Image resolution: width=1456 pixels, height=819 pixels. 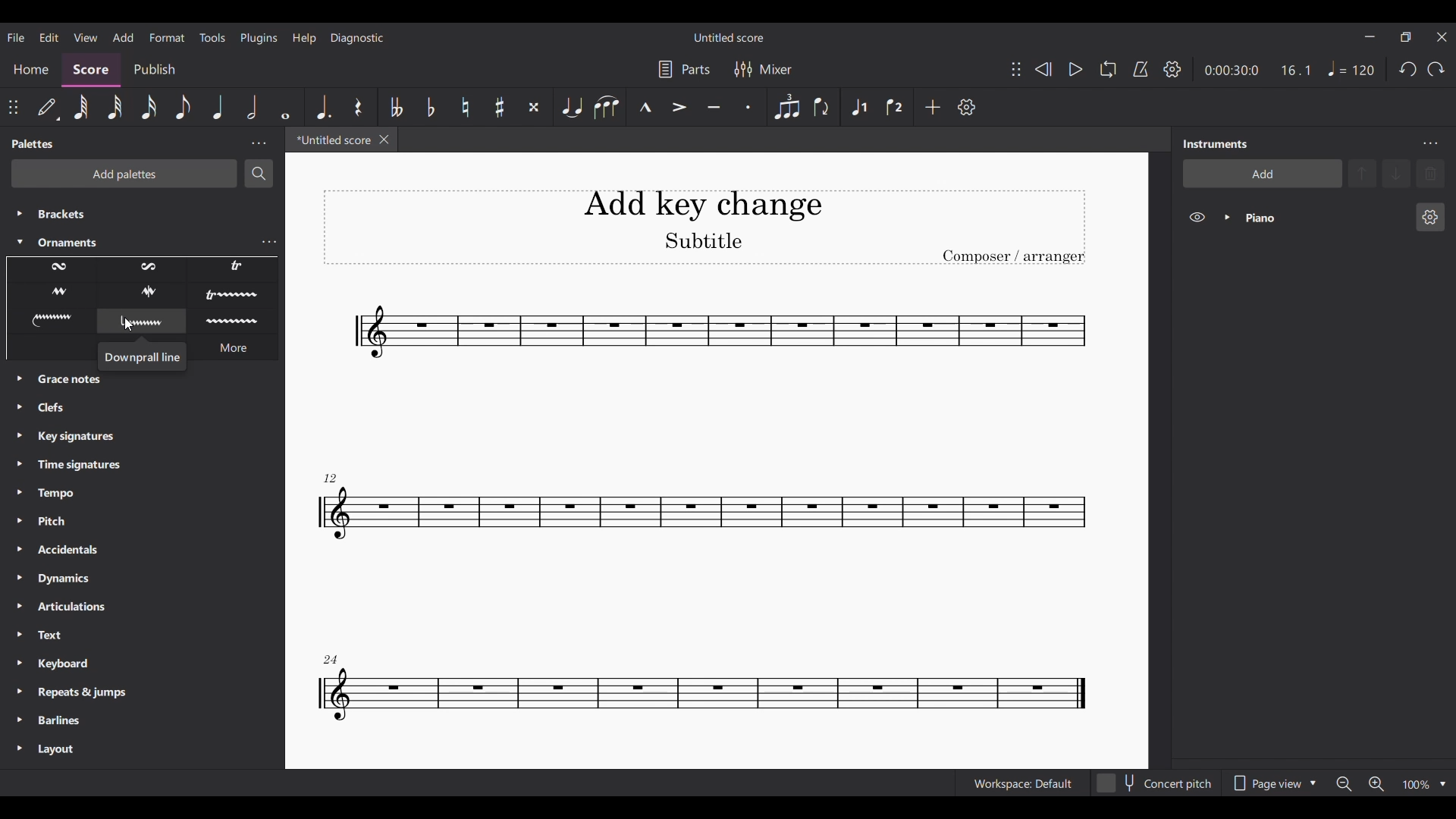 I want to click on Edit menu, so click(x=49, y=36).